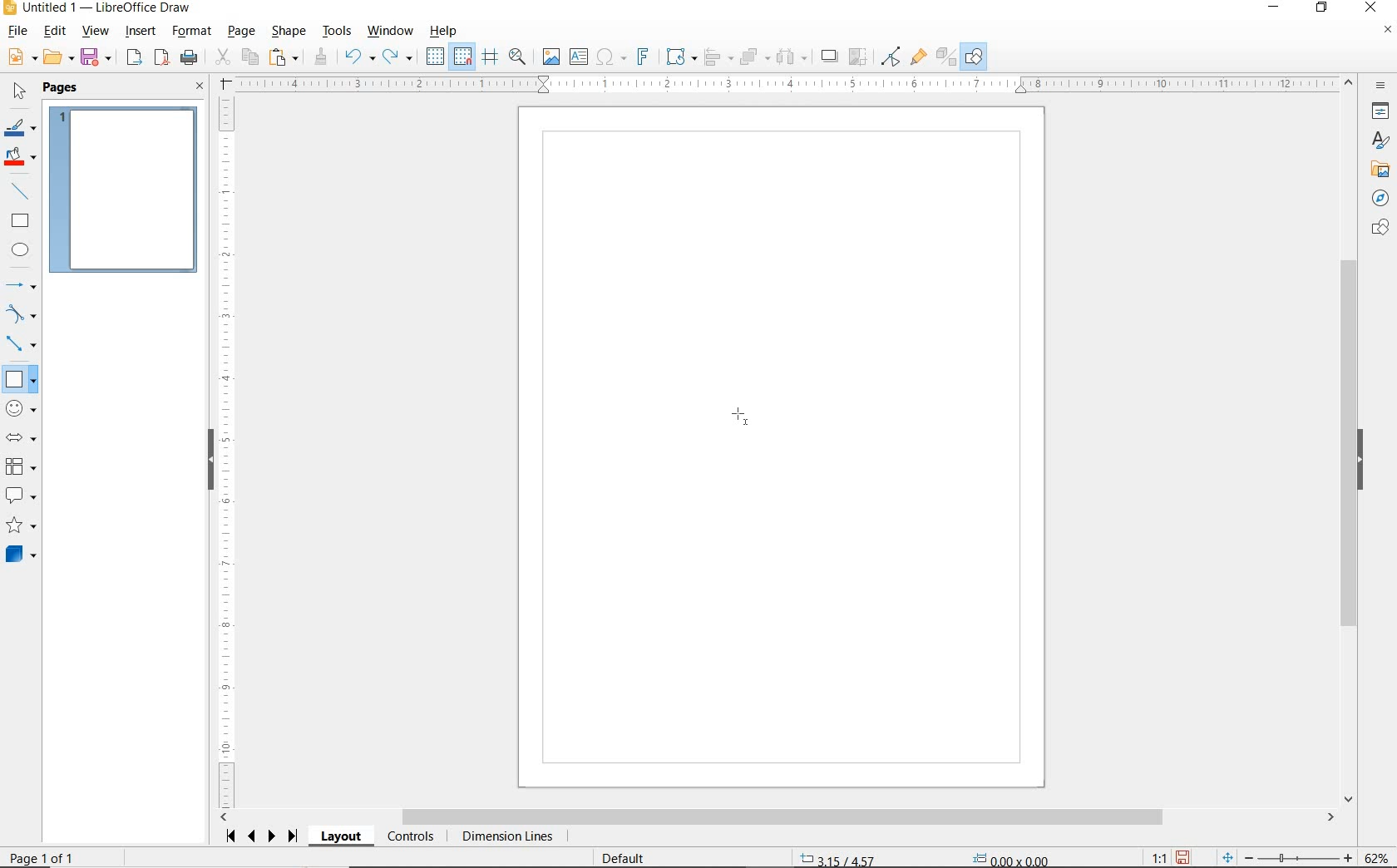  I want to click on OPEN, so click(59, 57).